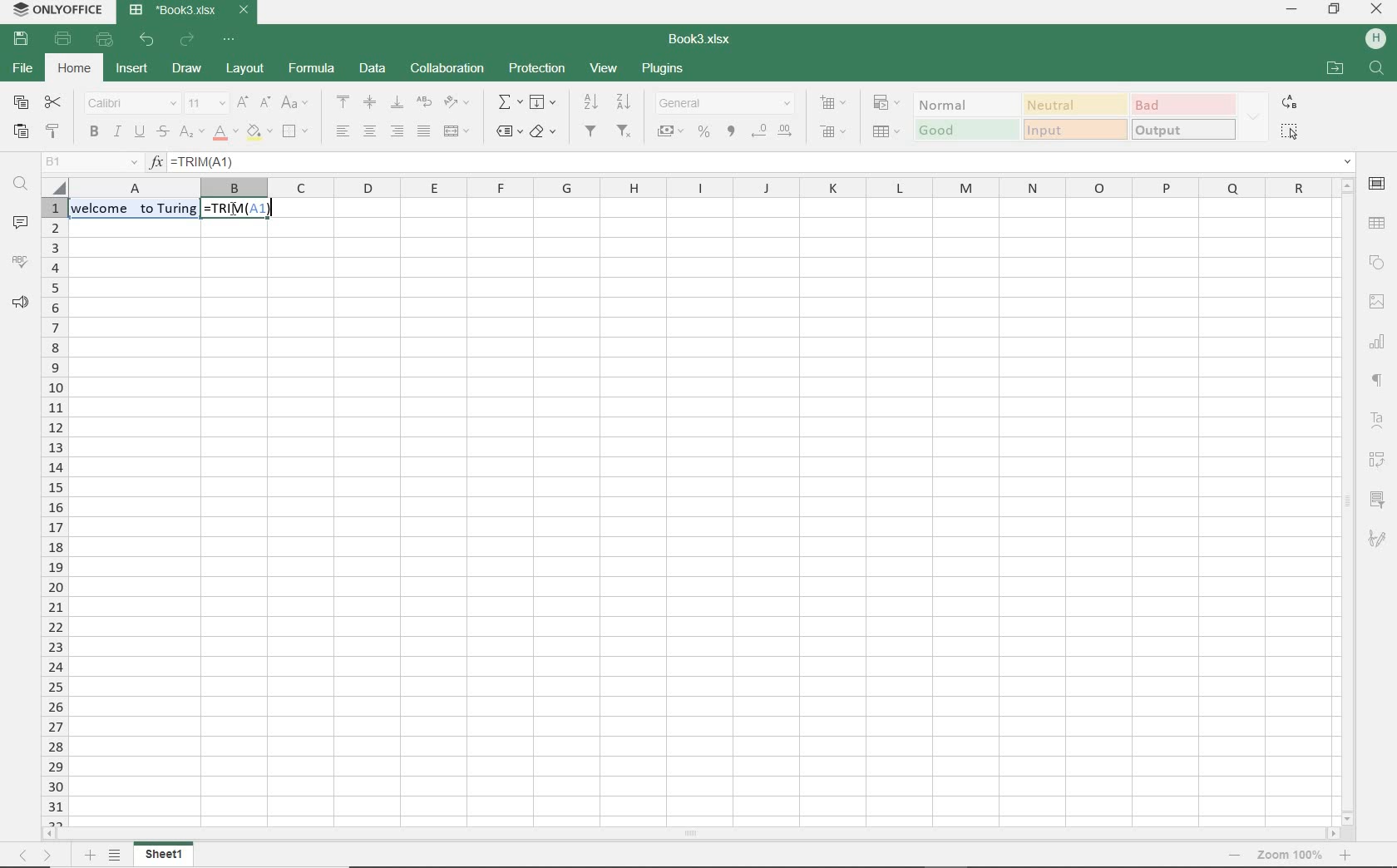 The image size is (1397, 868). Describe the element at coordinates (537, 67) in the screenshot. I see `protection` at that location.